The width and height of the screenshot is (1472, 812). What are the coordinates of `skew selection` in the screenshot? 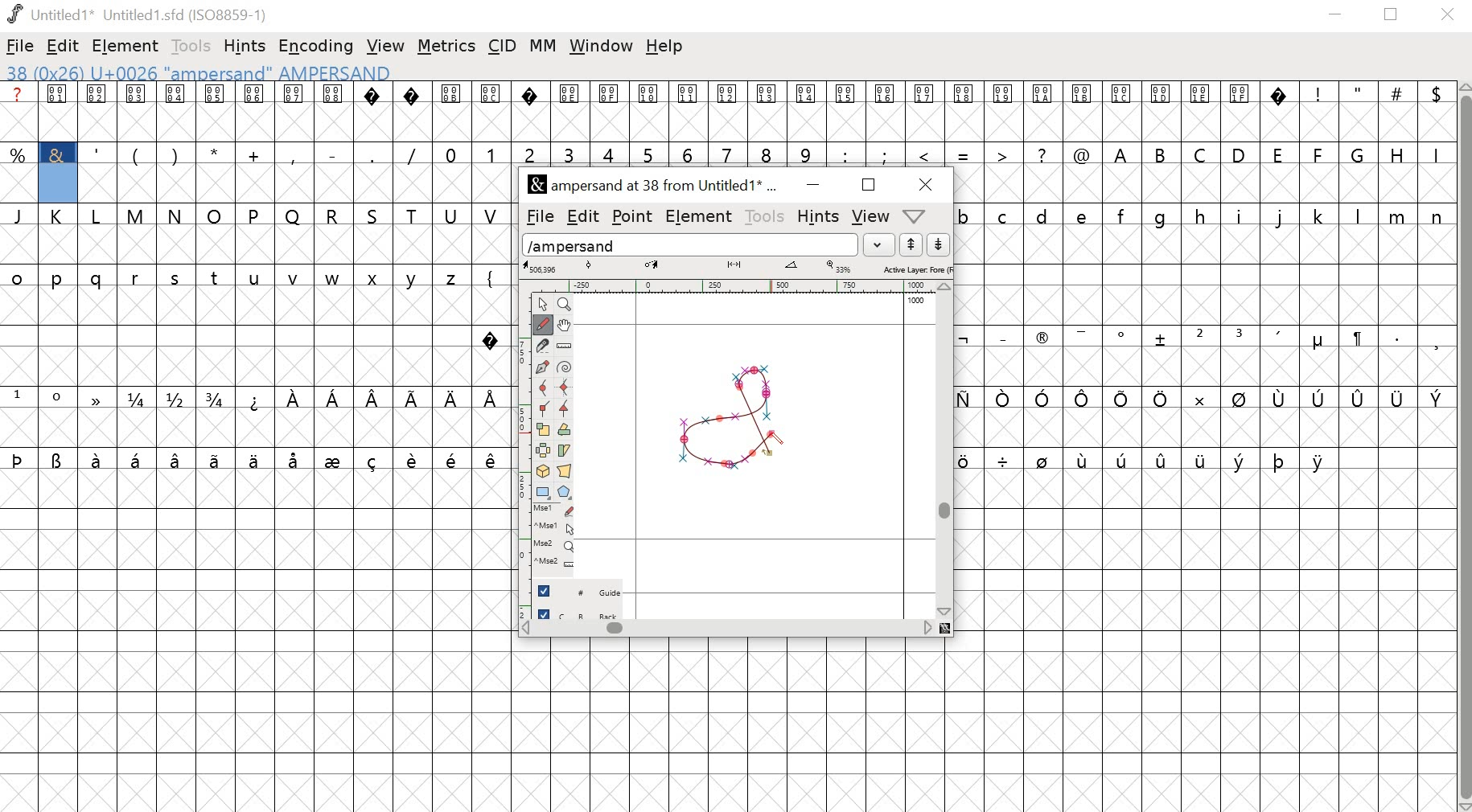 It's located at (566, 450).